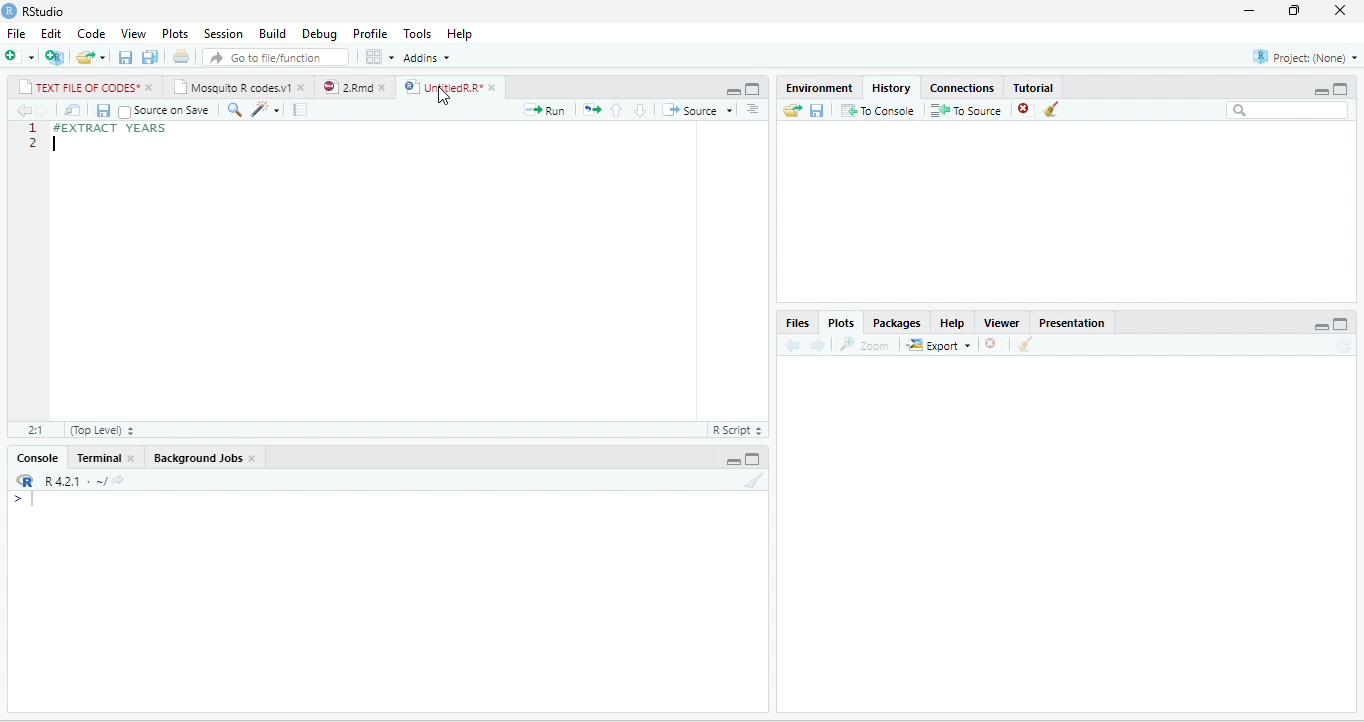 The height and width of the screenshot is (722, 1364). Describe the element at coordinates (92, 34) in the screenshot. I see `Code` at that location.